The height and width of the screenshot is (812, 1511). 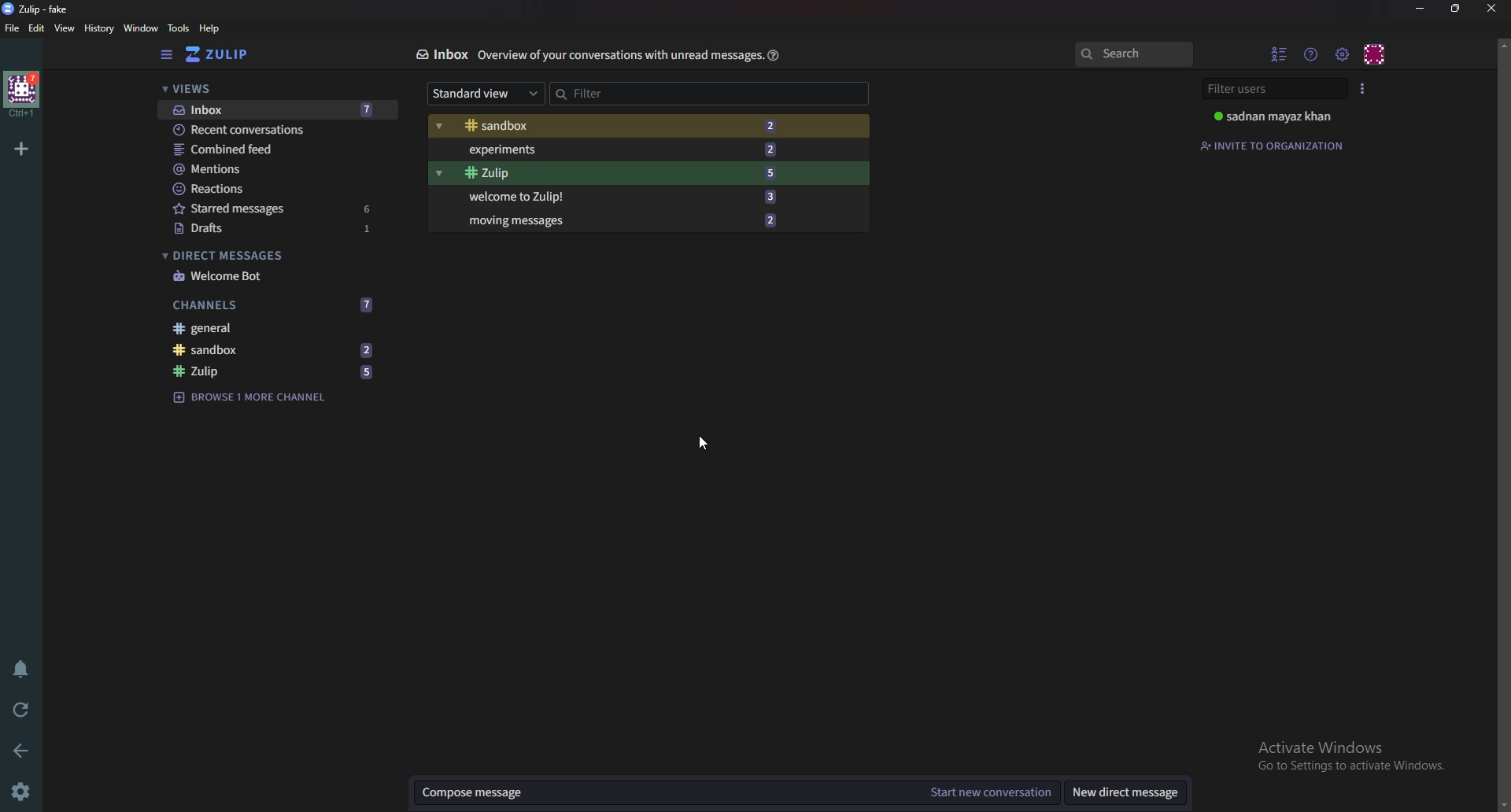 I want to click on Help, so click(x=774, y=57).